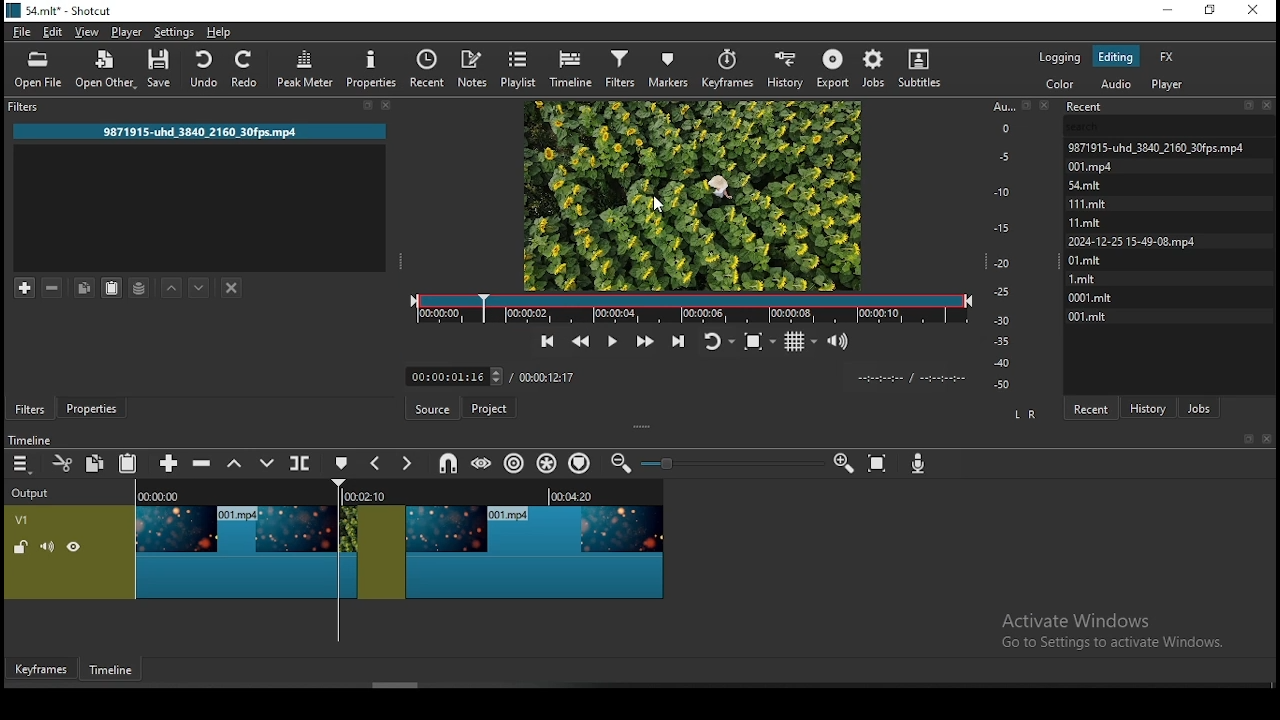  Describe the element at coordinates (1059, 57) in the screenshot. I see `logging` at that location.